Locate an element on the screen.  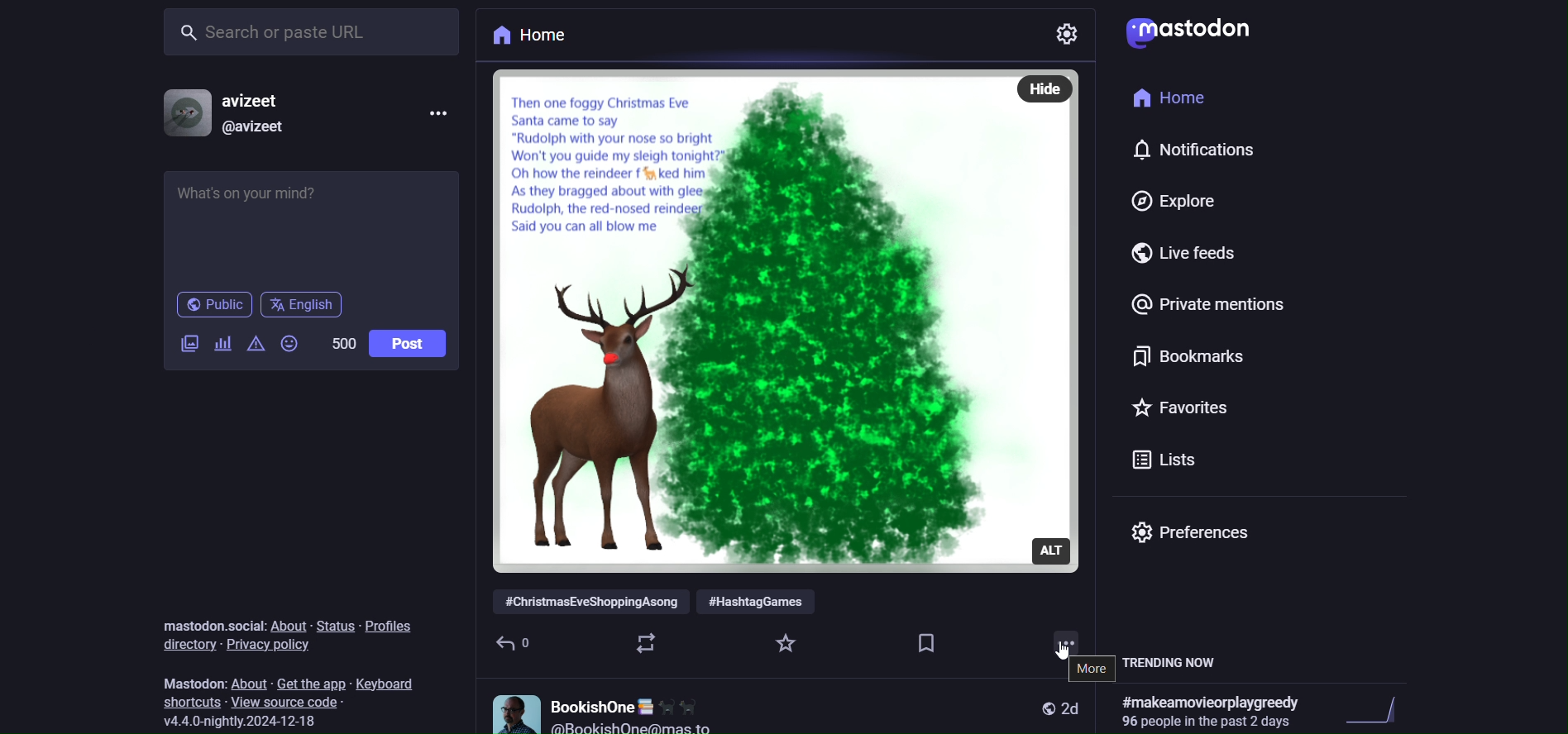
mastodon logo is located at coordinates (1188, 30).